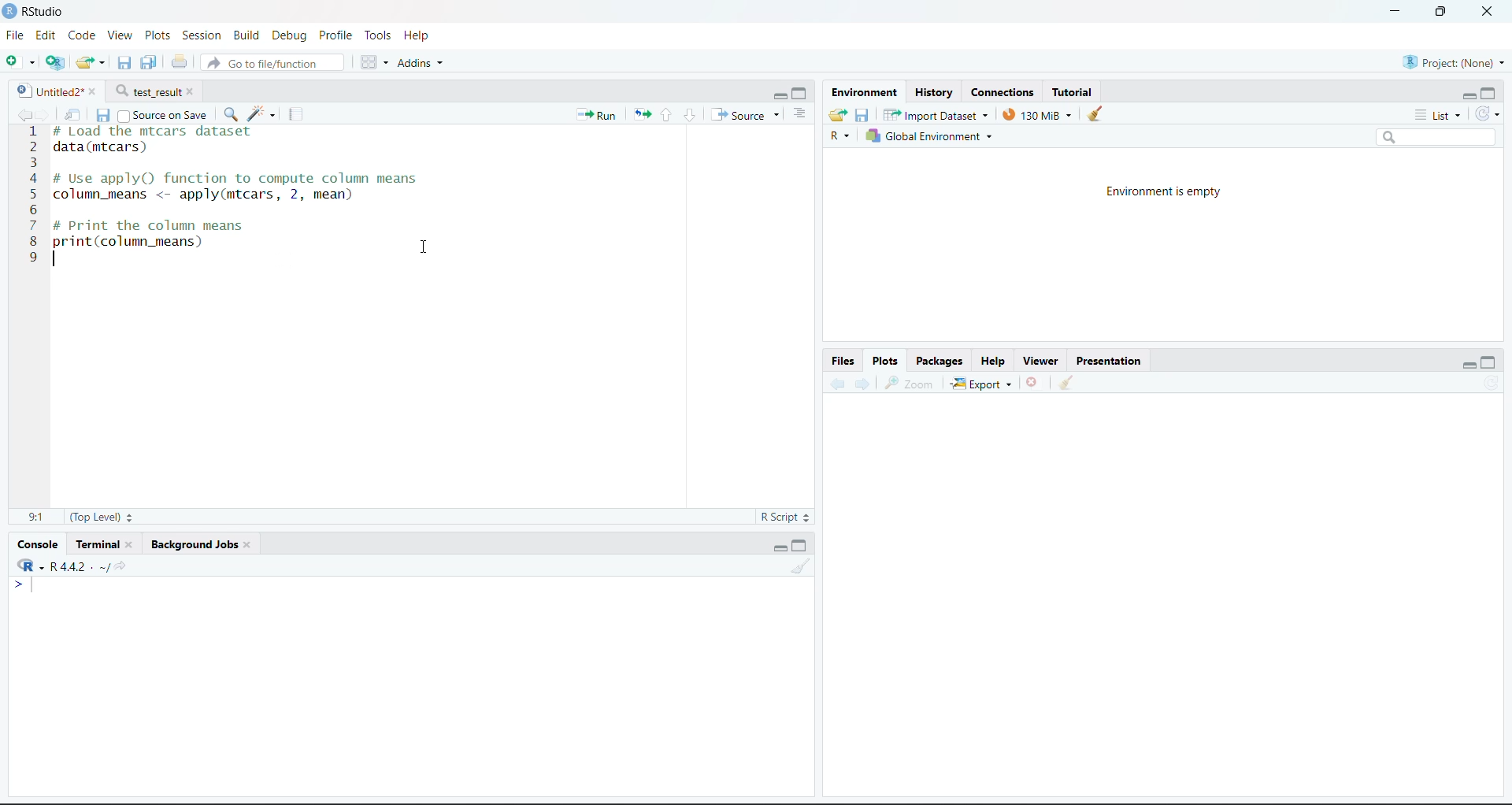  I want to click on Open an existing file (Ctrl + O), so click(91, 61).